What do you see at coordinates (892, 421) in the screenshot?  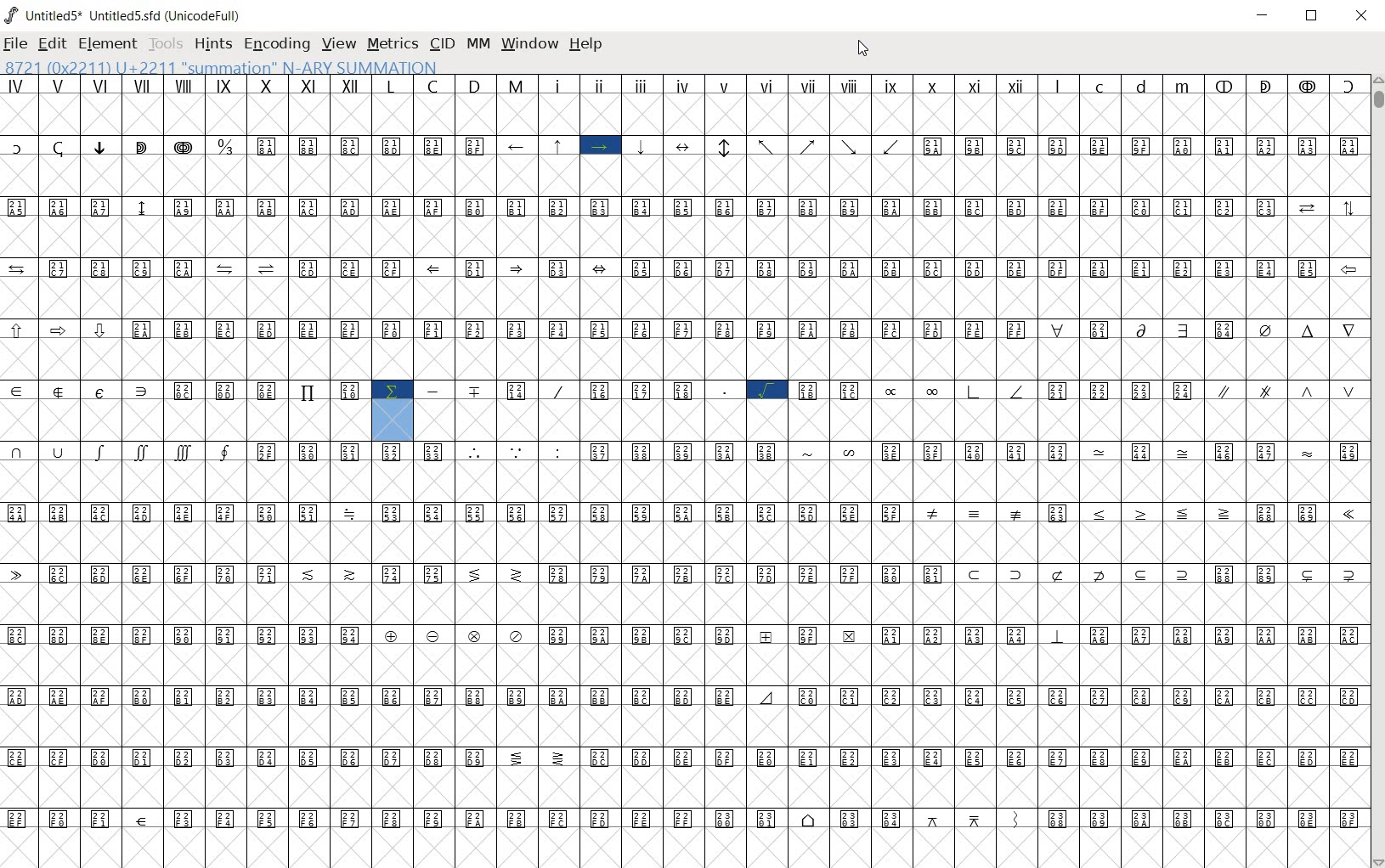 I see `empty cells` at bounding box center [892, 421].